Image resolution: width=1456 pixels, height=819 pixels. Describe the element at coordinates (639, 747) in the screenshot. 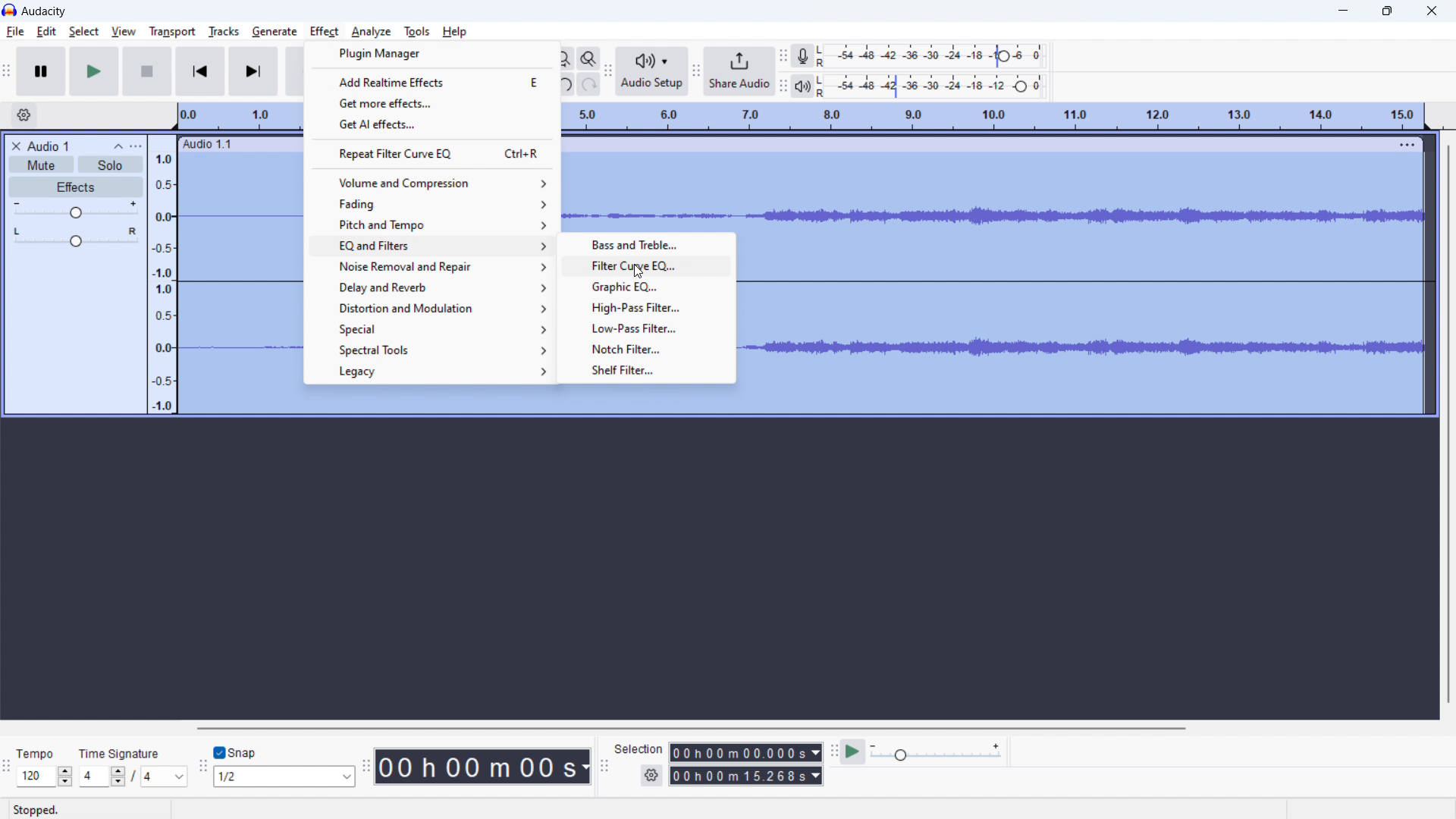

I see `Selection` at that location.